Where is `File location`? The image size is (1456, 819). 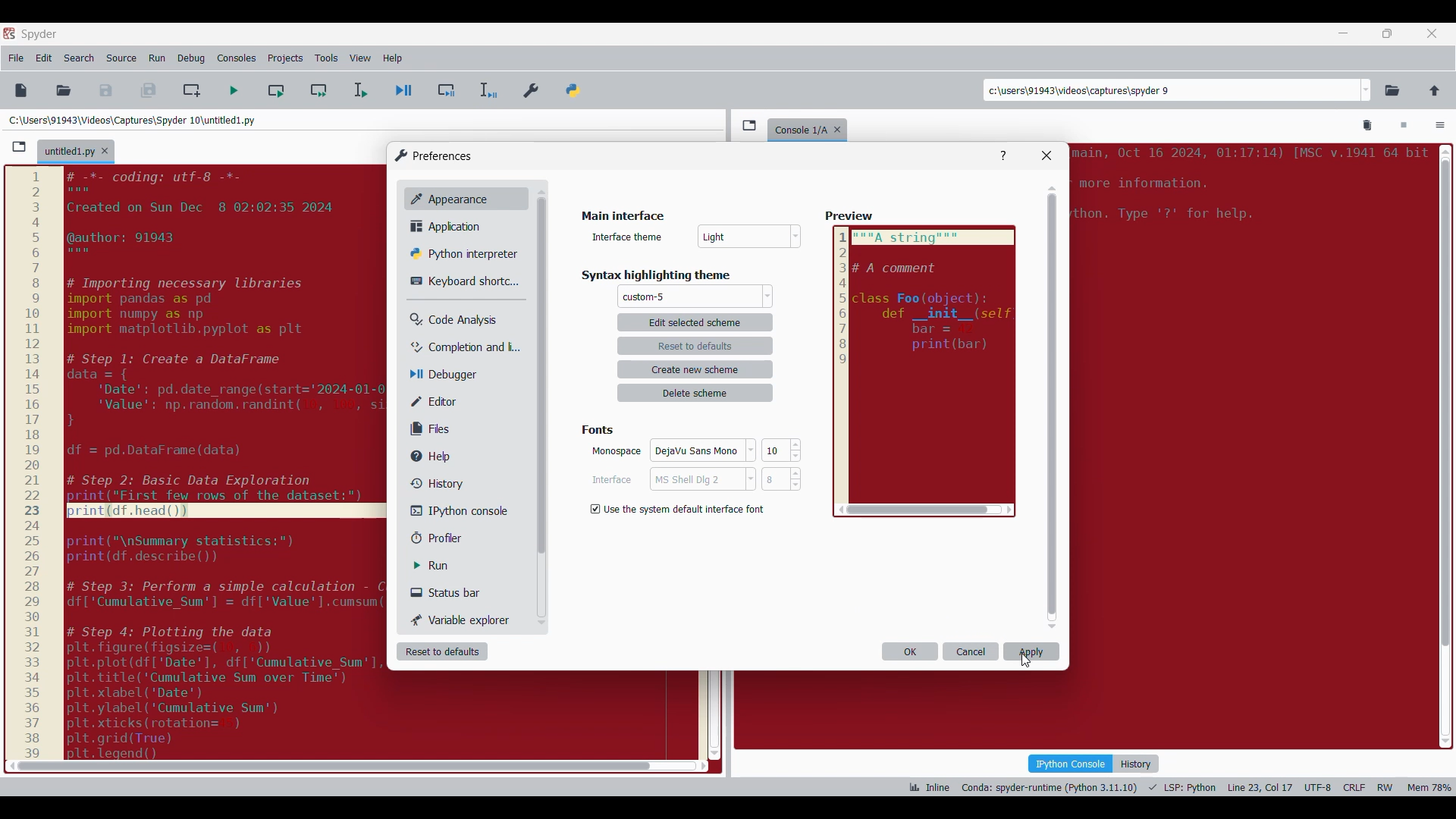 File location is located at coordinates (132, 120).